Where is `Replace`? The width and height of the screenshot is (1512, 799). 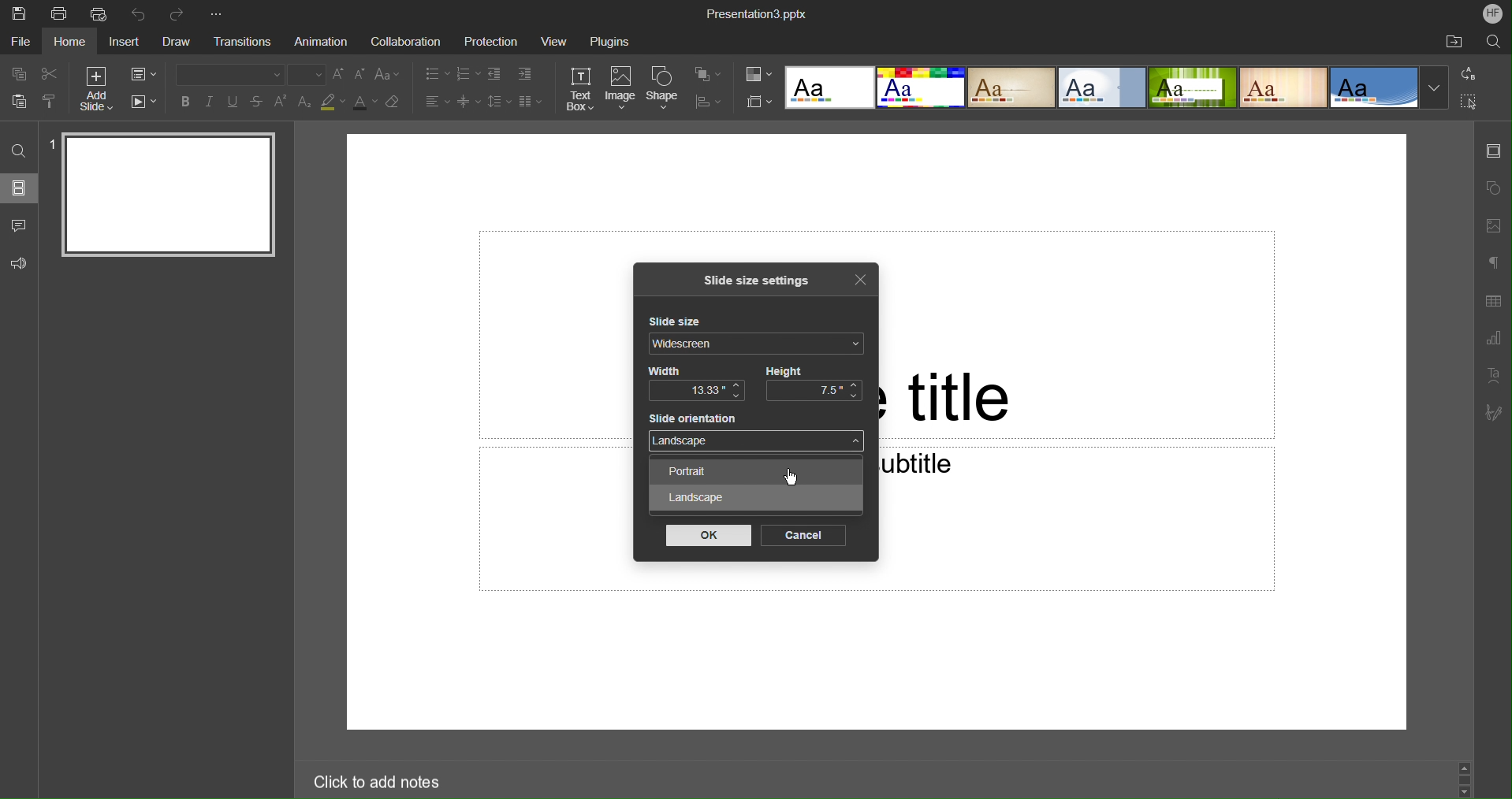 Replace is located at coordinates (1469, 73).